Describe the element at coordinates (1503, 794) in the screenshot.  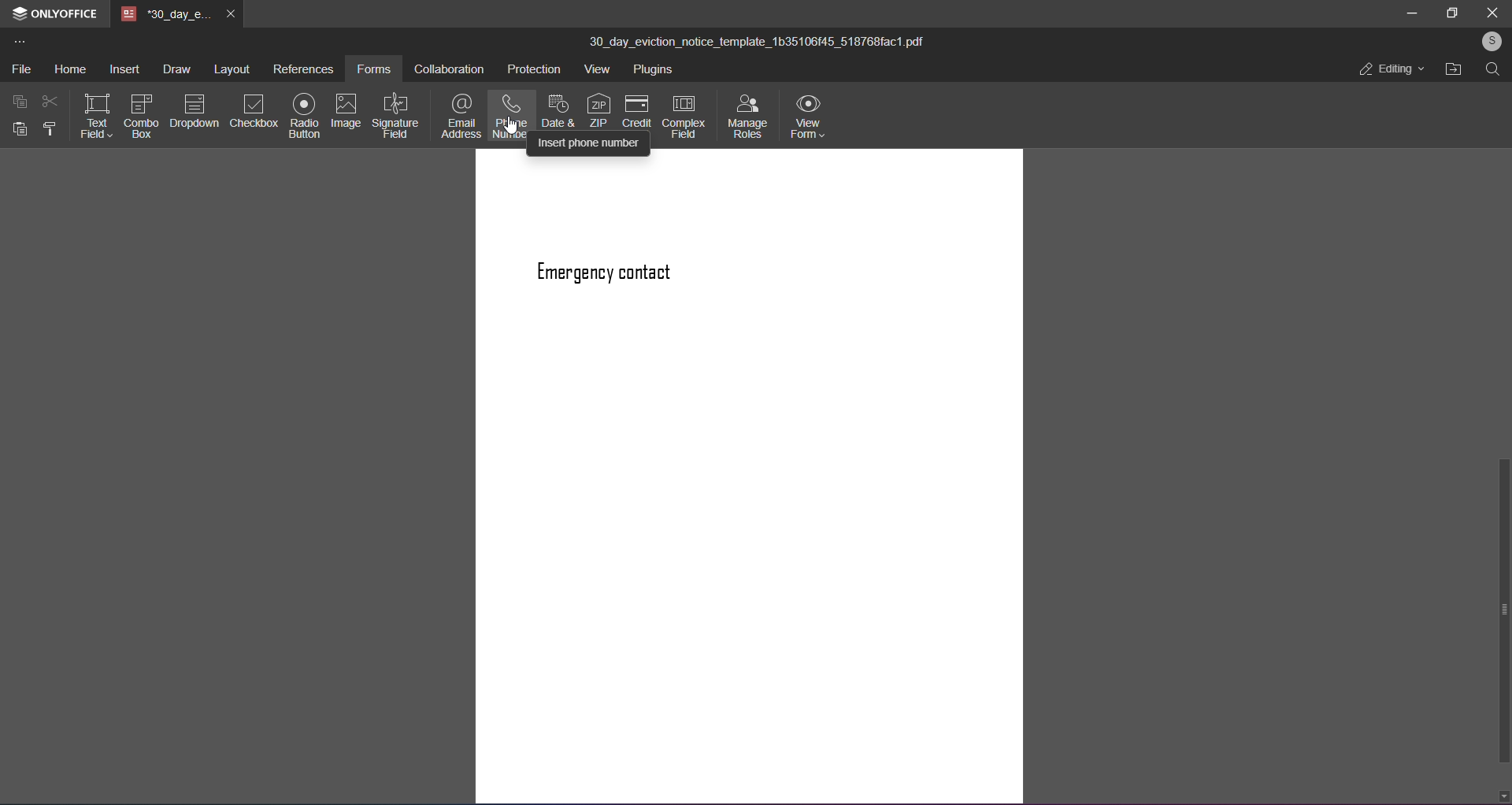
I see `down` at that location.